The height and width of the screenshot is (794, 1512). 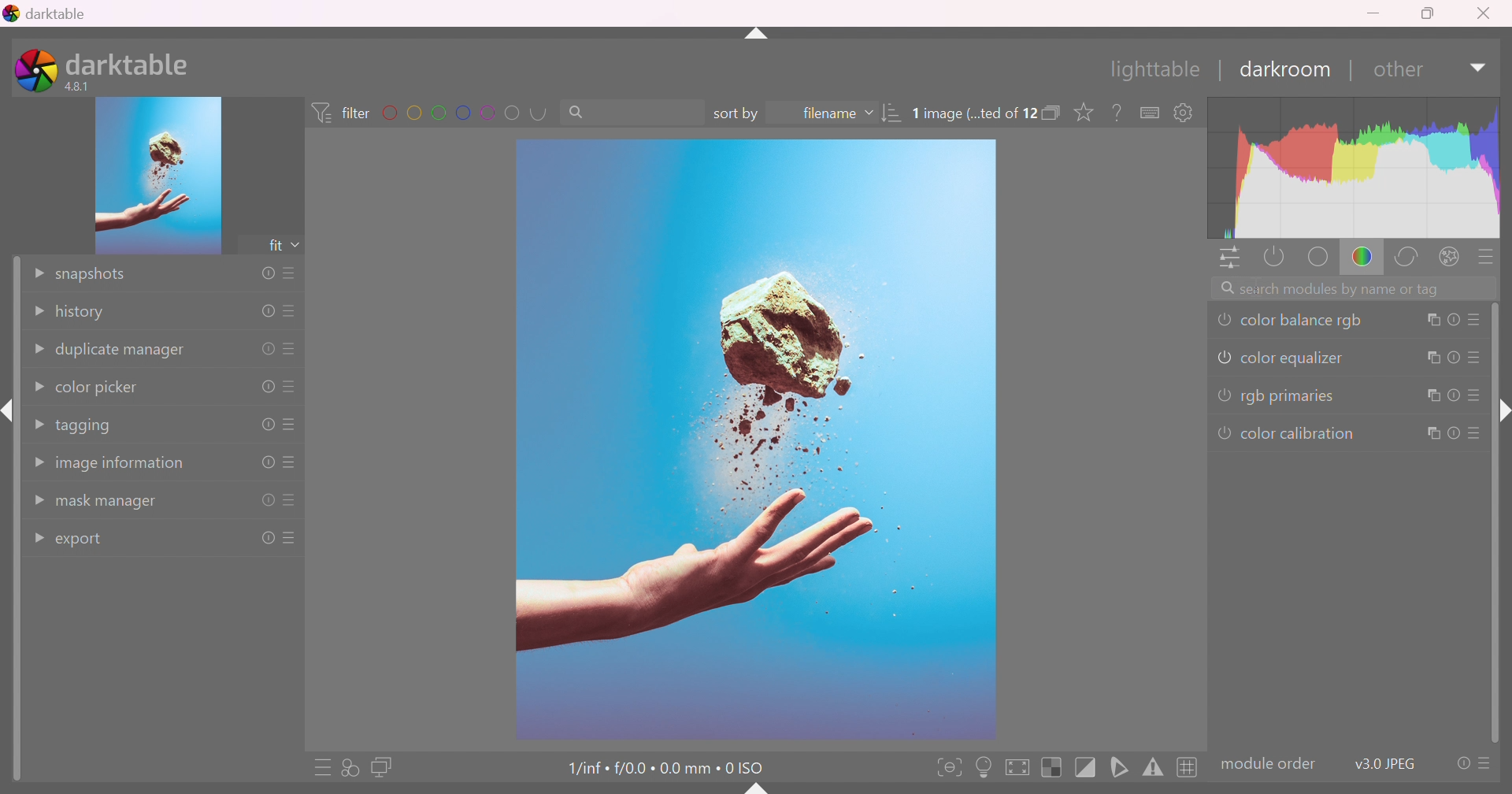 What do you see at coordinates (1454, 397) in the screenshot?
I see `reset` at bounding box center [1454, 397].